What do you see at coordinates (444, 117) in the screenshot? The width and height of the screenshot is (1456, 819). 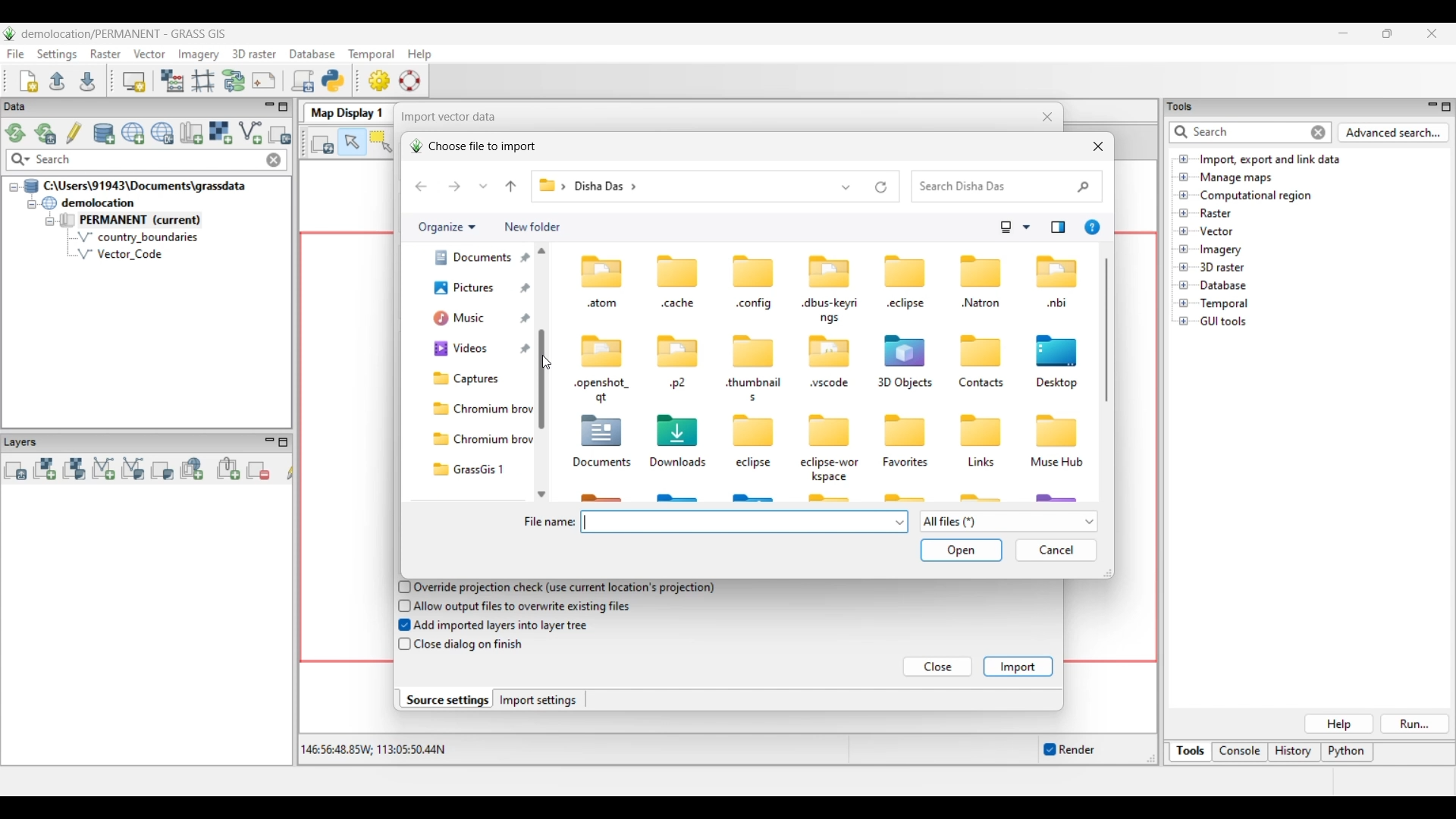 I see `| Import vector data` at bounding box center [444, 117].